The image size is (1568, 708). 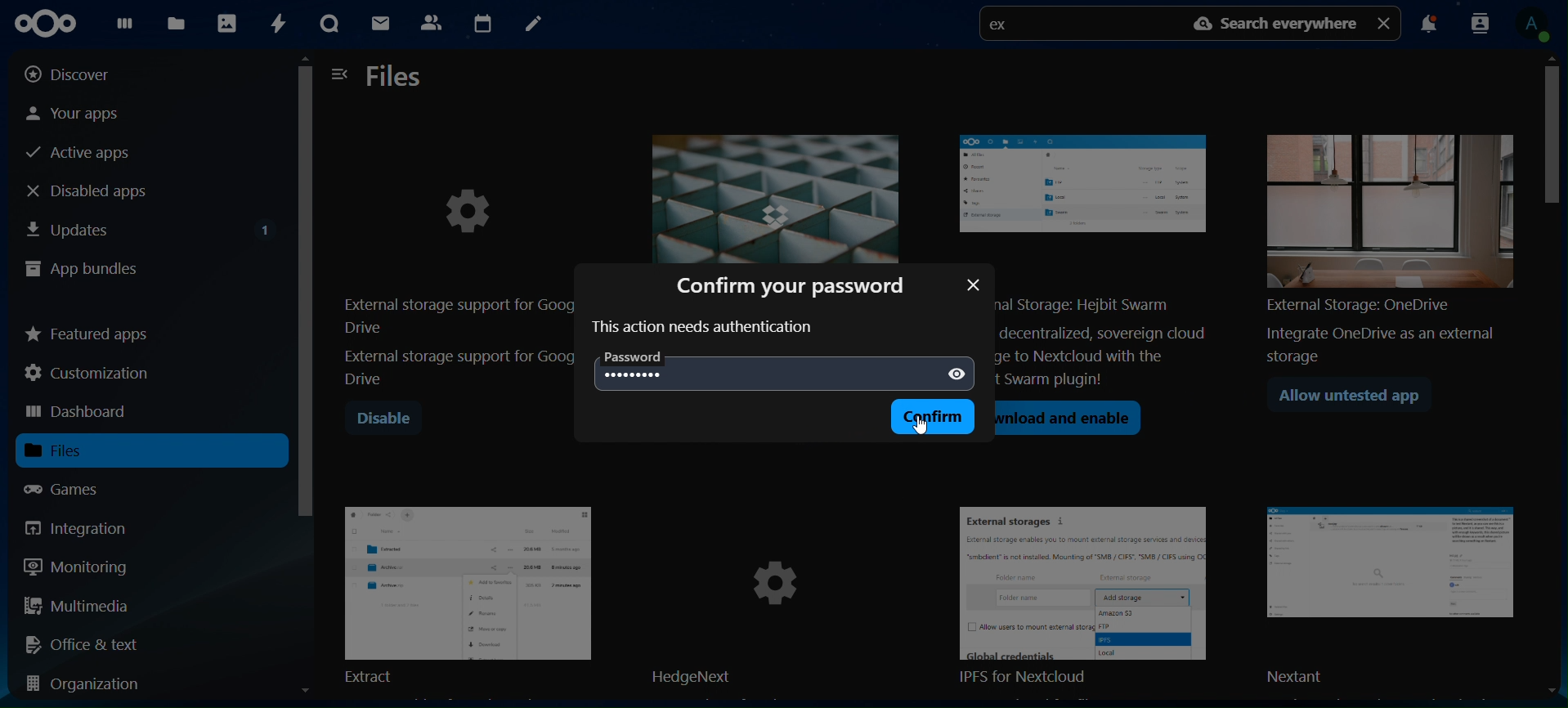 What do you see at coordinates (924, 428) in the screenshot?
I see `cursor` at bounding box center [924, 428].